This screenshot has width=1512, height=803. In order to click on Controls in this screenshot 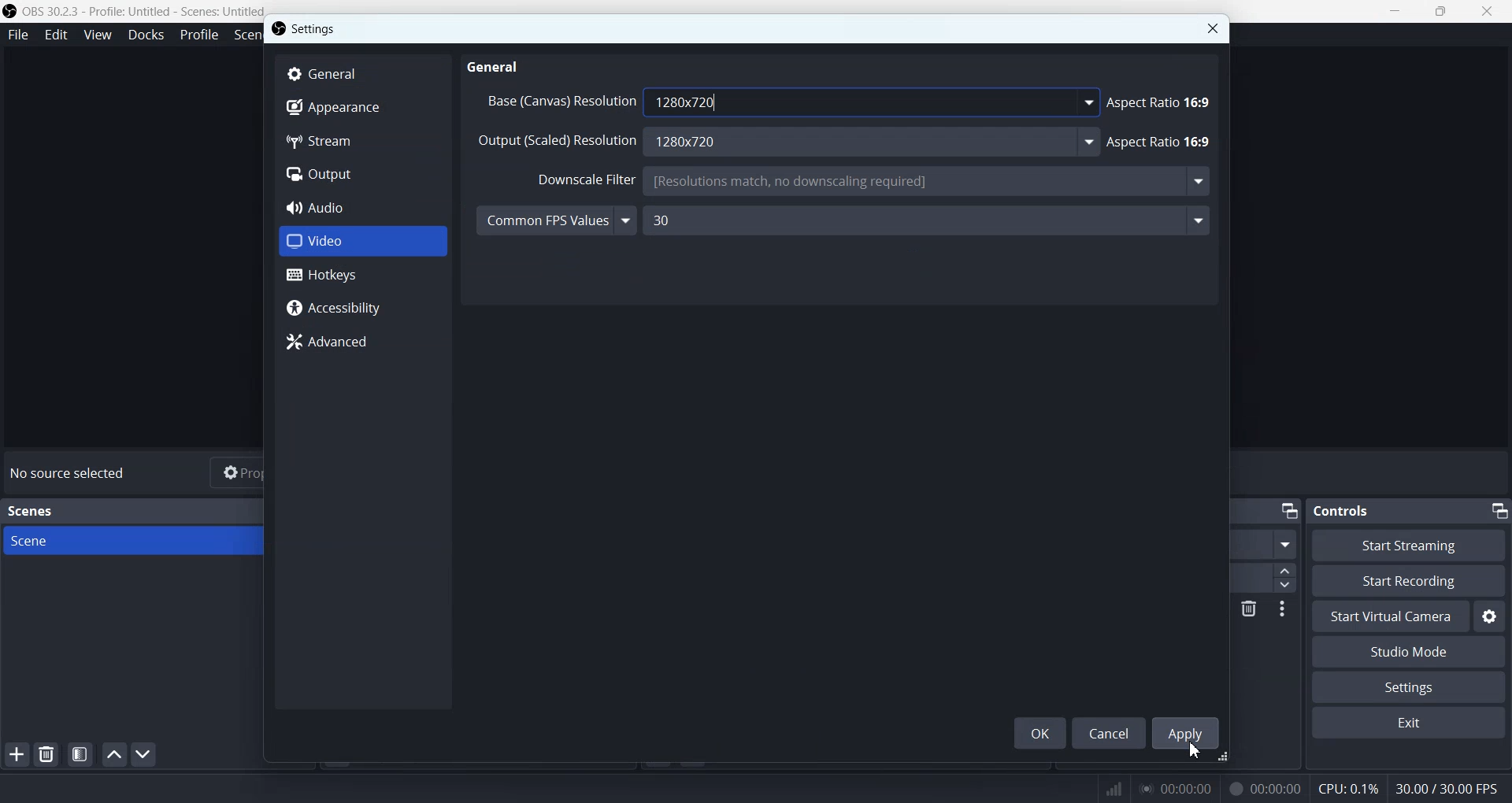, I will do `click(1349, 510)`.